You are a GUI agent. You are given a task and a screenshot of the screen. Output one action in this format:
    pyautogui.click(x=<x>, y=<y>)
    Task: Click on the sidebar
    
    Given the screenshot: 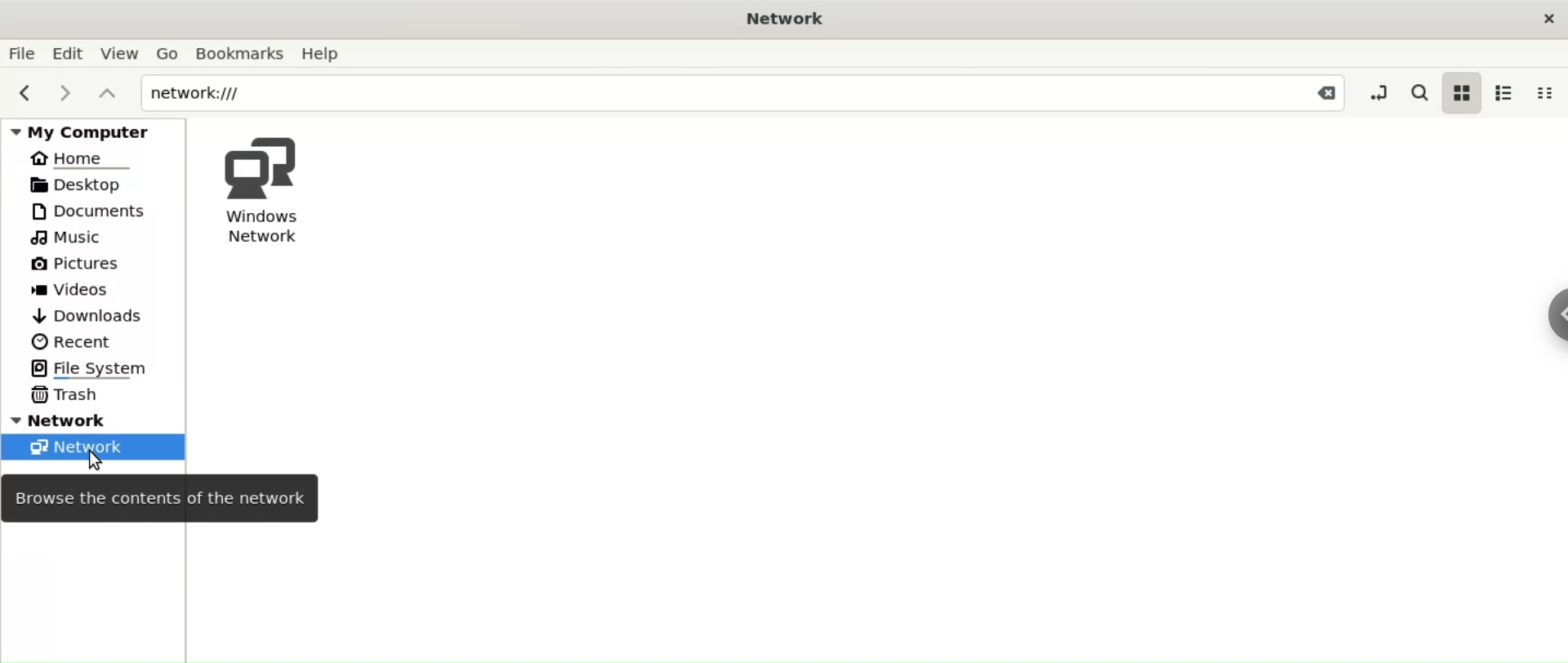 What is the action you would take?
    pyautogui.click(x=1556, y=315)
    